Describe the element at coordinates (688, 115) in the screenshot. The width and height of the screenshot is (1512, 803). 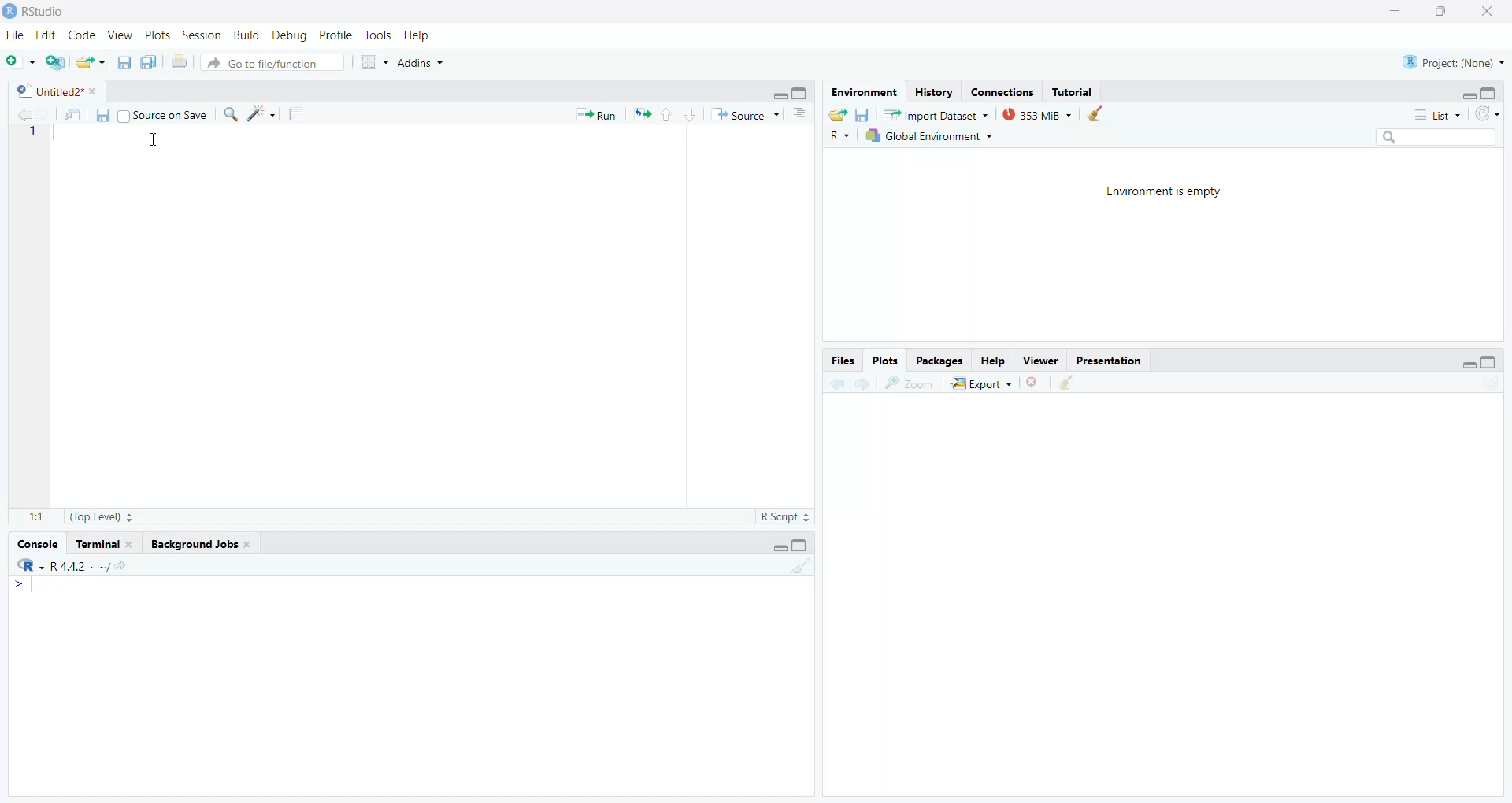
I see `go to next selection/chunk` at that location.